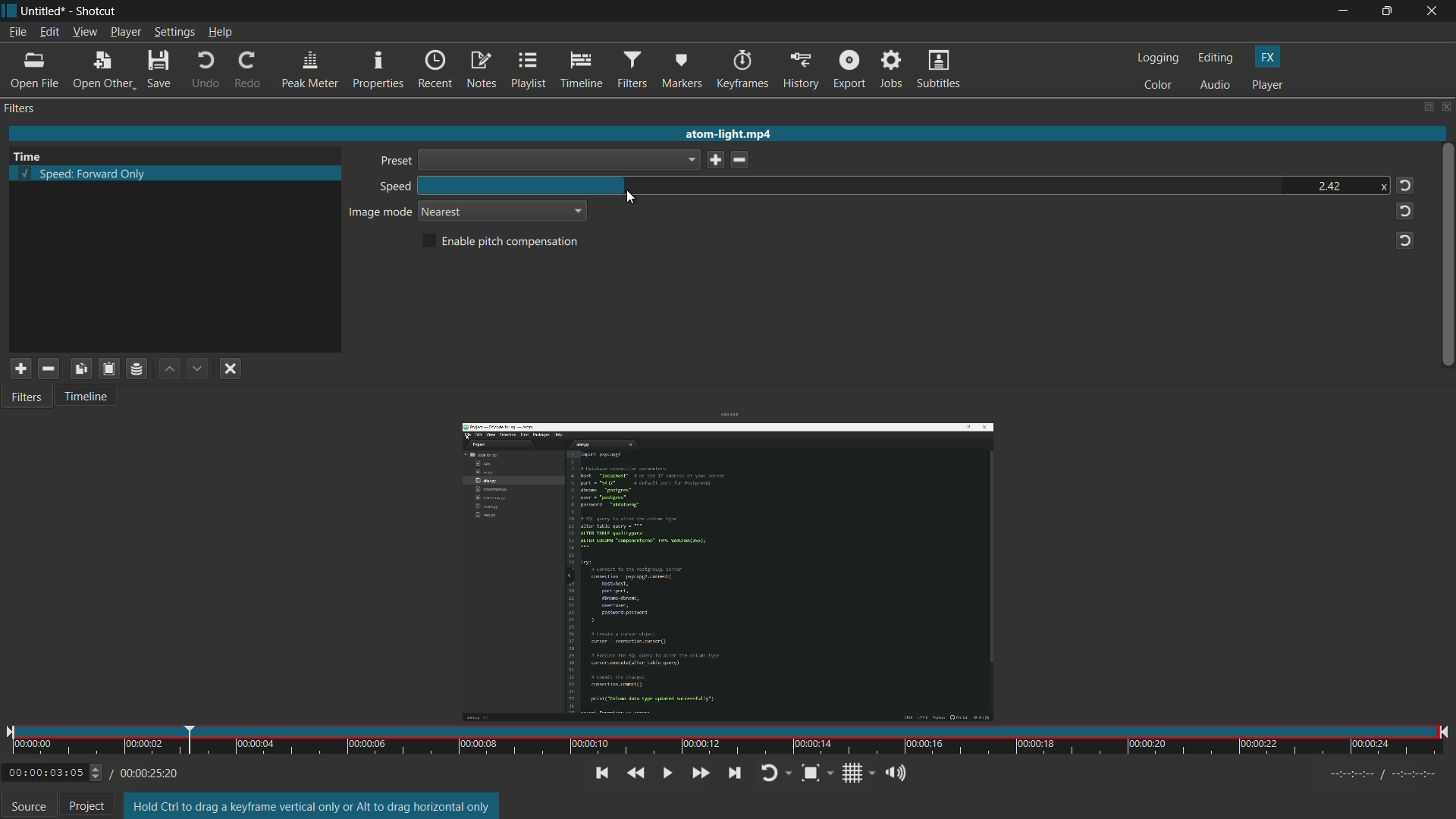 The image size is (1456, 819). Describe the element at coordinates (83, 177) in the screenshot. I see `speed forward only` at that location.